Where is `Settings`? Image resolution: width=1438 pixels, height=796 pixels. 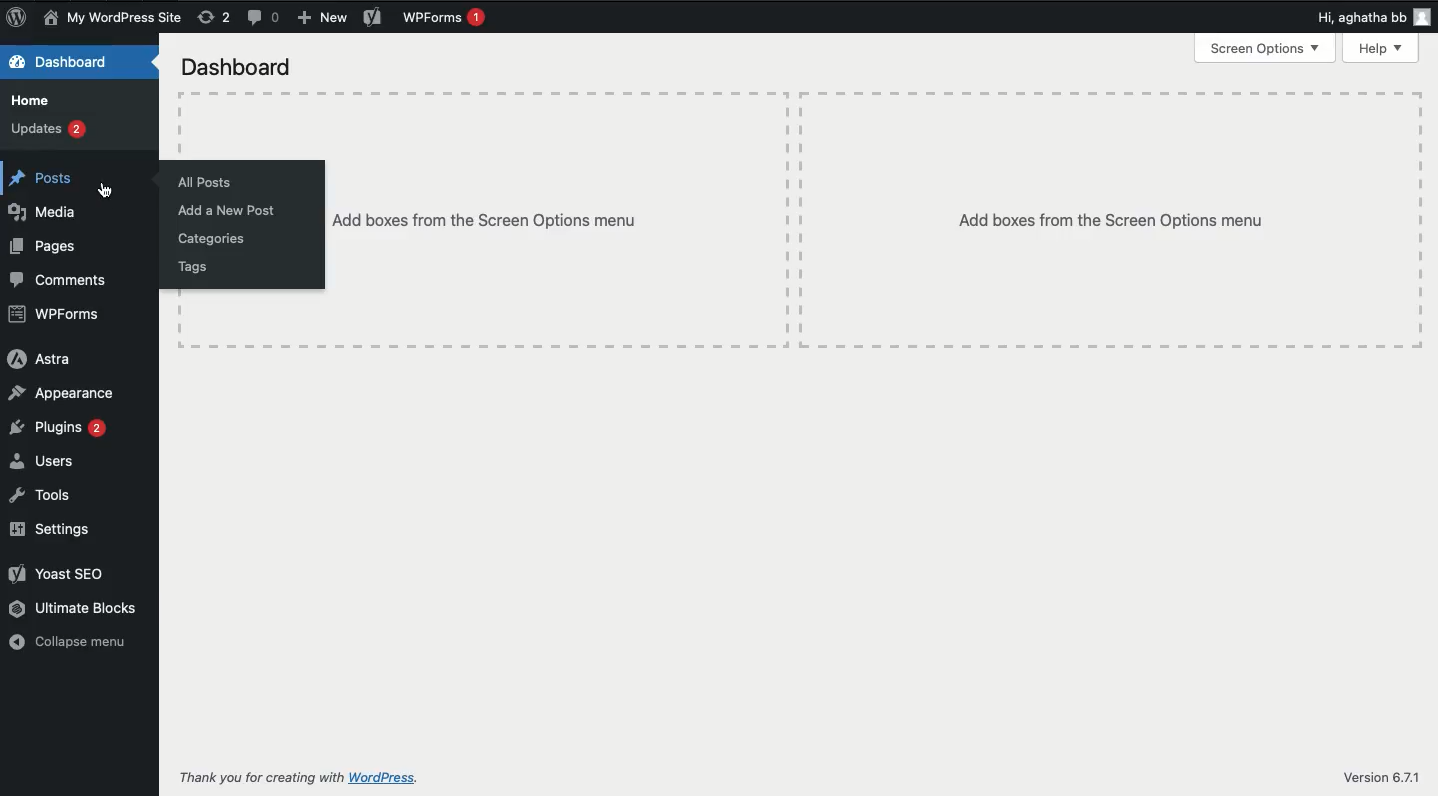
Settings is located at coordinates (57, 529).